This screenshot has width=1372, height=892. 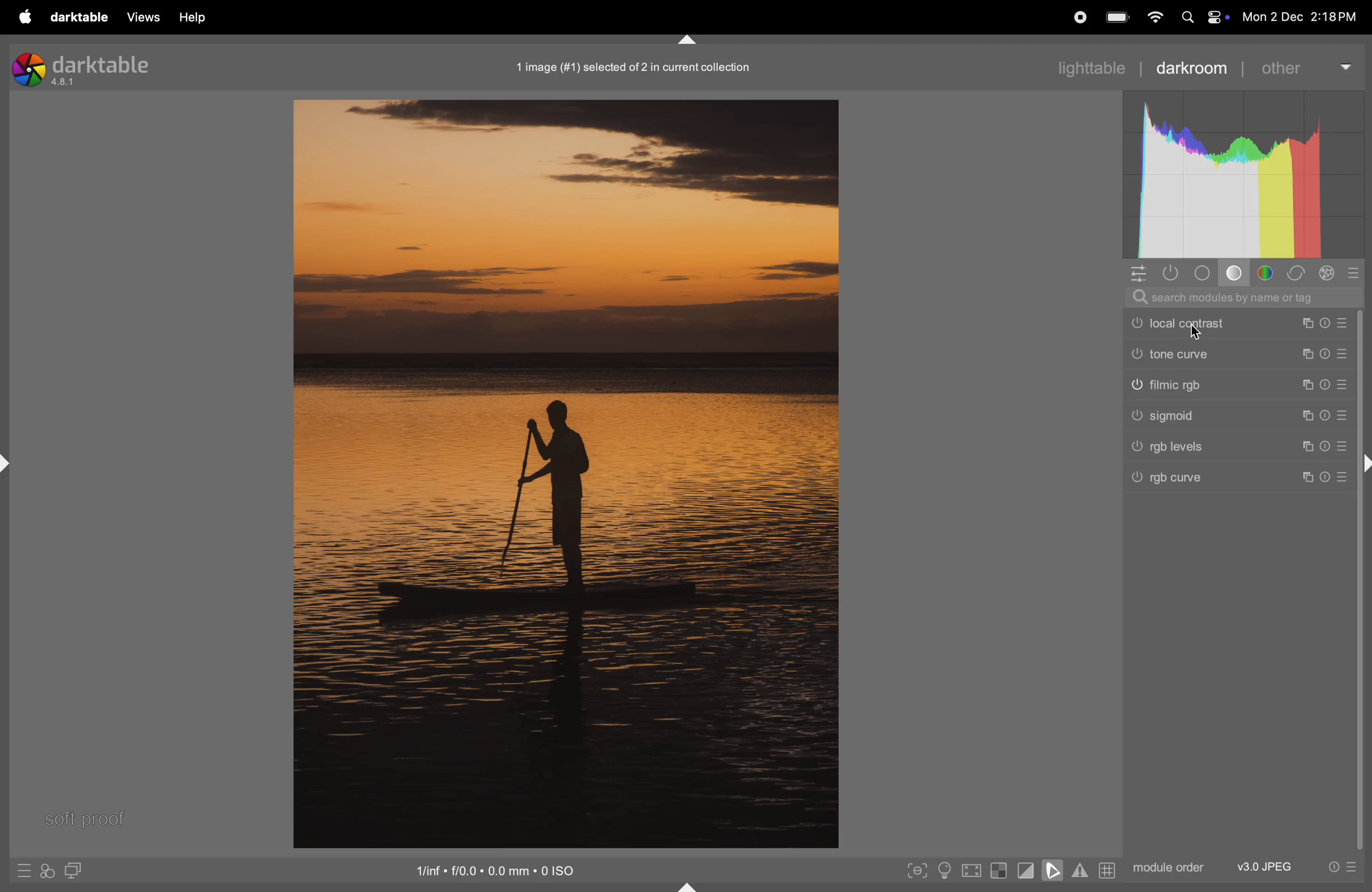 What do you see at coordinates (1238, 297) in the screenshot?
I see `search bar` at bounding box center [1238, 297].